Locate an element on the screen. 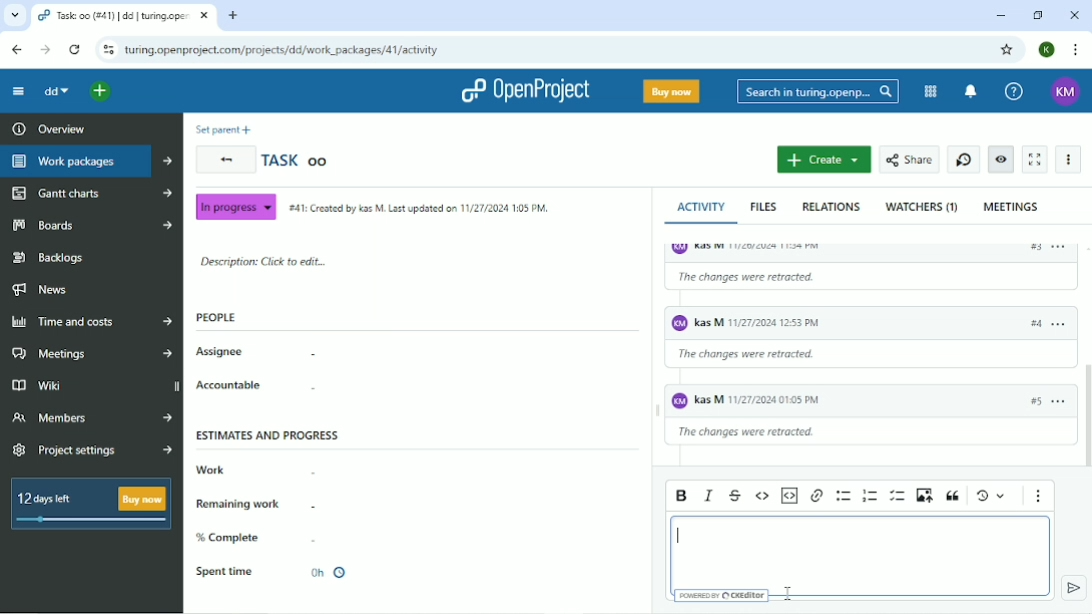  Task oo is located at coordinates (296, 159).